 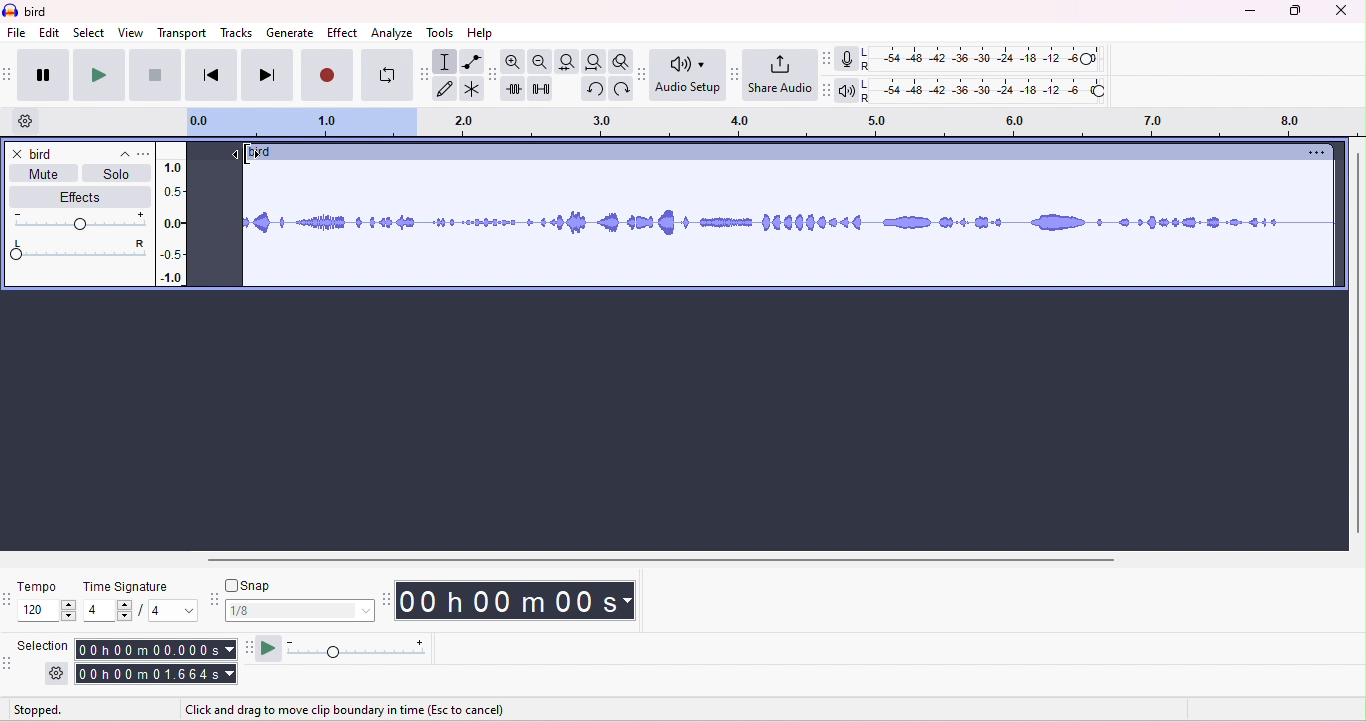 What do you see at coordinates (143, 154) in the screenshot?
I see `options` at bounding box center [143, 154].